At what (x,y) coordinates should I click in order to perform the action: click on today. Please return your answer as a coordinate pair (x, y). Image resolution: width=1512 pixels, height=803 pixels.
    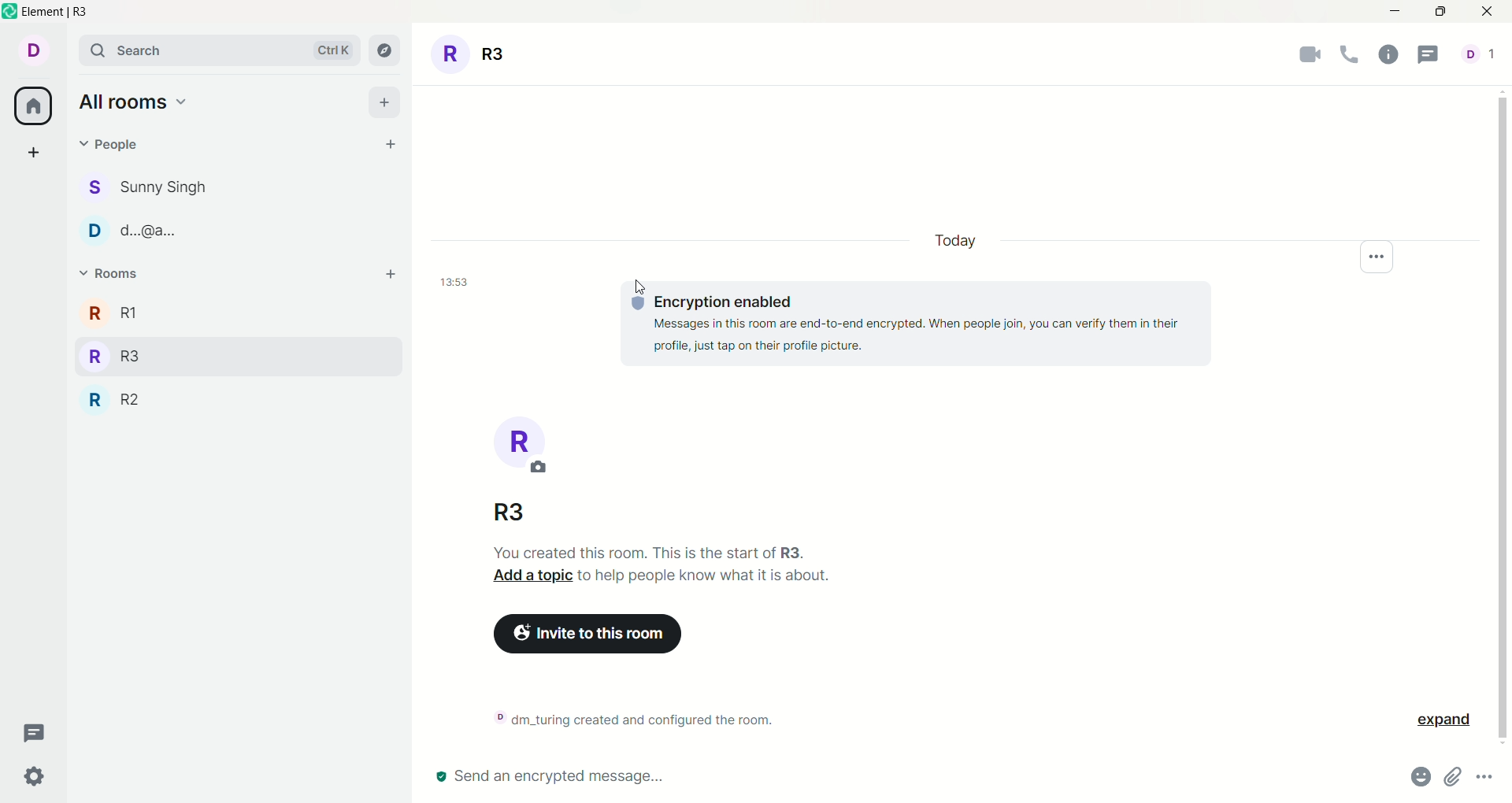
    Looking at the image, I should click on (962, 242).